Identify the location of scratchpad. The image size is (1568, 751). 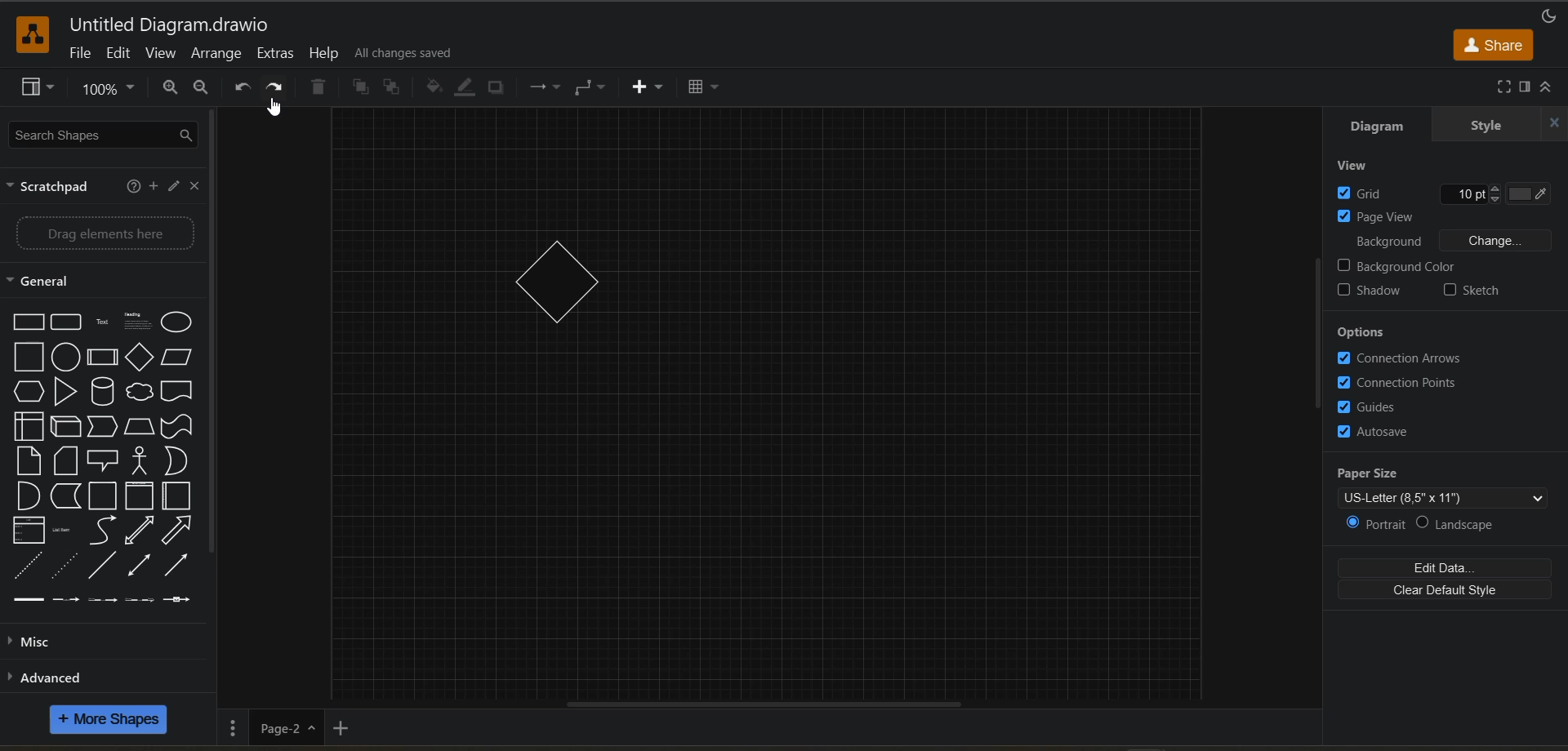
(49, 187).